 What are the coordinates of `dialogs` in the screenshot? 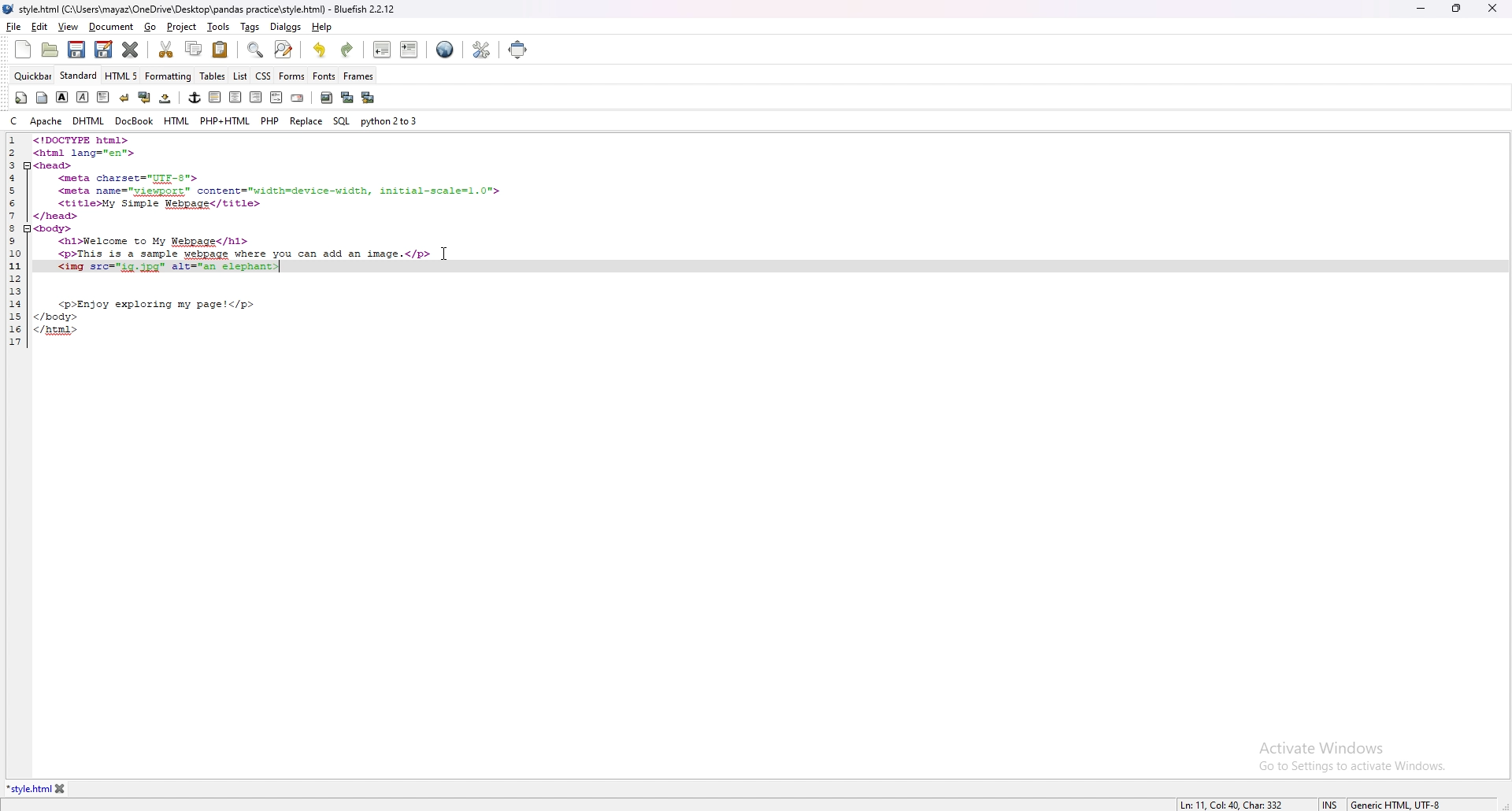 It's located at (286, 27).